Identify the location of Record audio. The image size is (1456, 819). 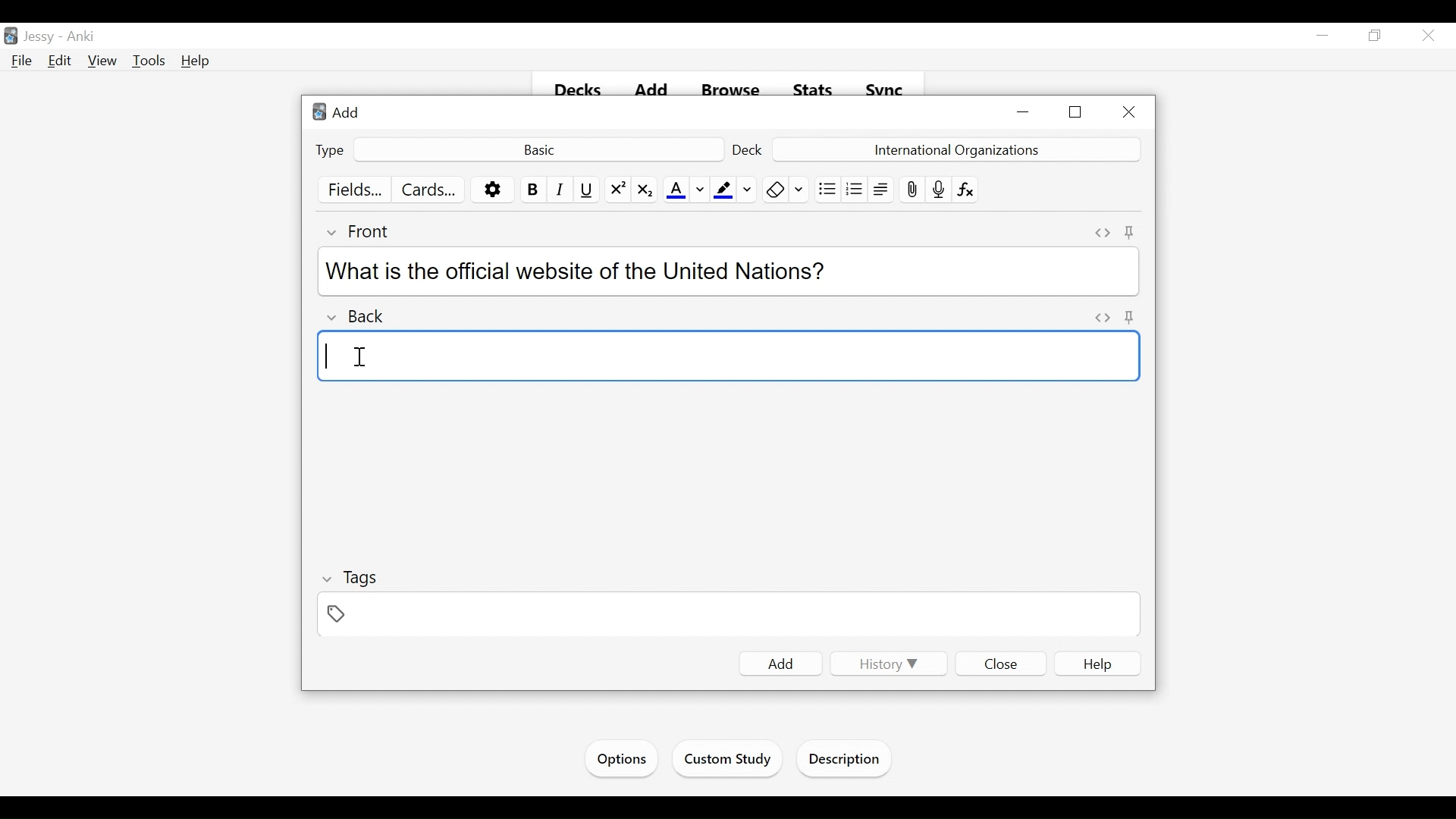
(938, 190).